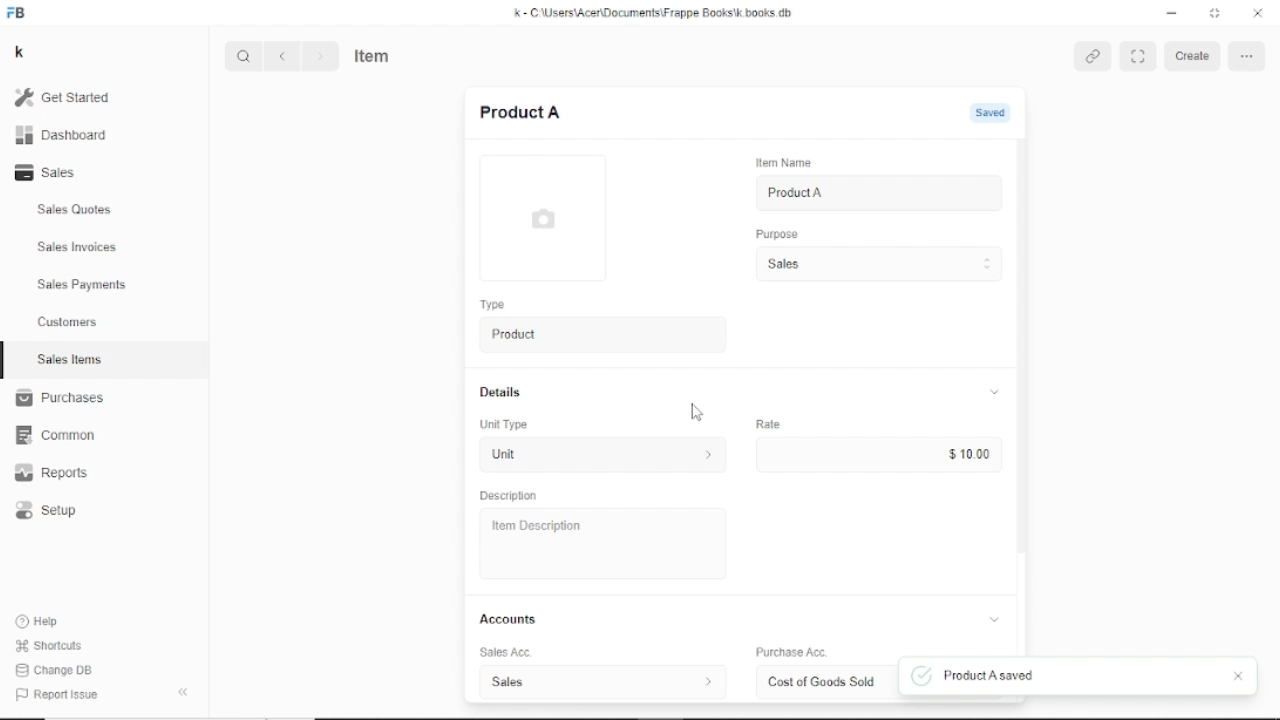  I want to click on Picture, so click(542, 218).